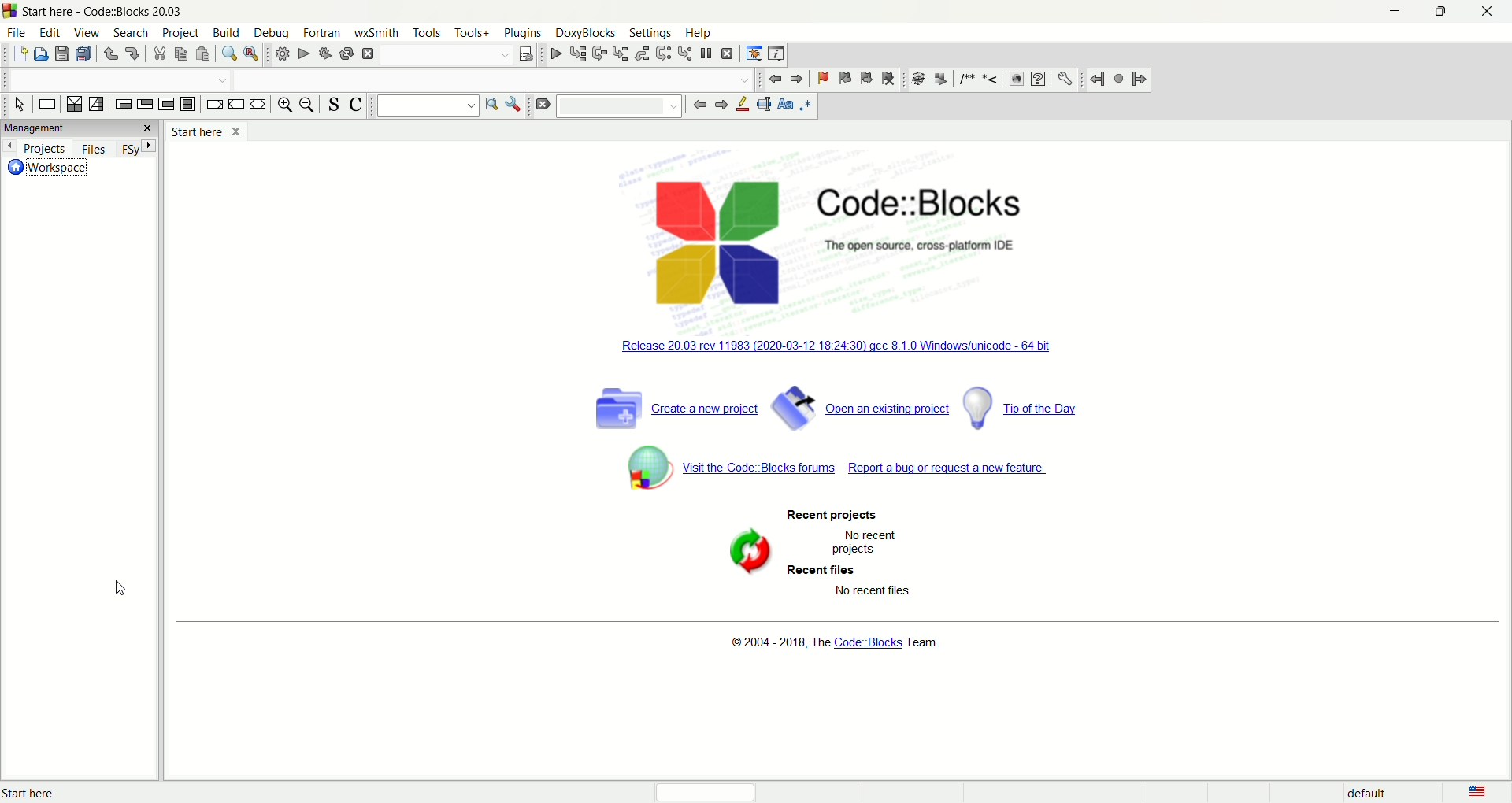 The width and height of the screenshot is (1512, 803). What do you see at coordinates (376, 32) in the screenshot?
I see `wxSmith` at bounding box center [376, 32].